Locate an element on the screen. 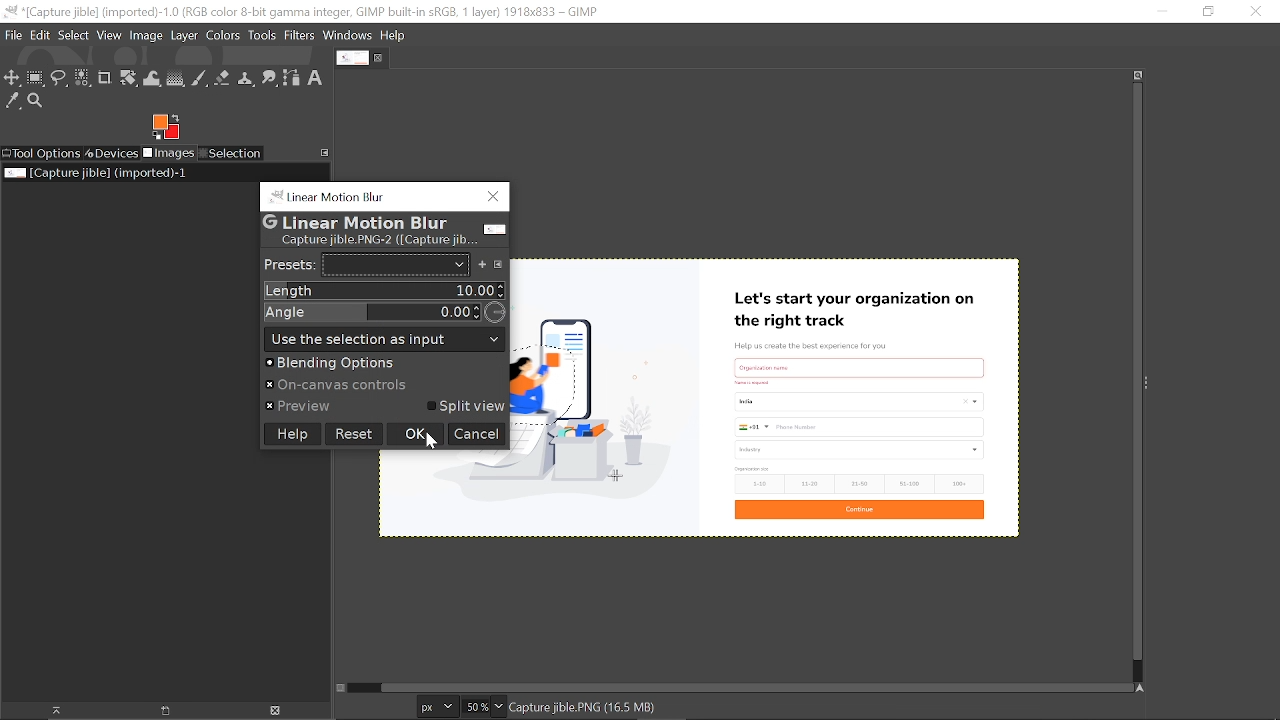 This screenshot has height=720, width=1280. Horizontal scrollbar is located at coordinates (745, 684).